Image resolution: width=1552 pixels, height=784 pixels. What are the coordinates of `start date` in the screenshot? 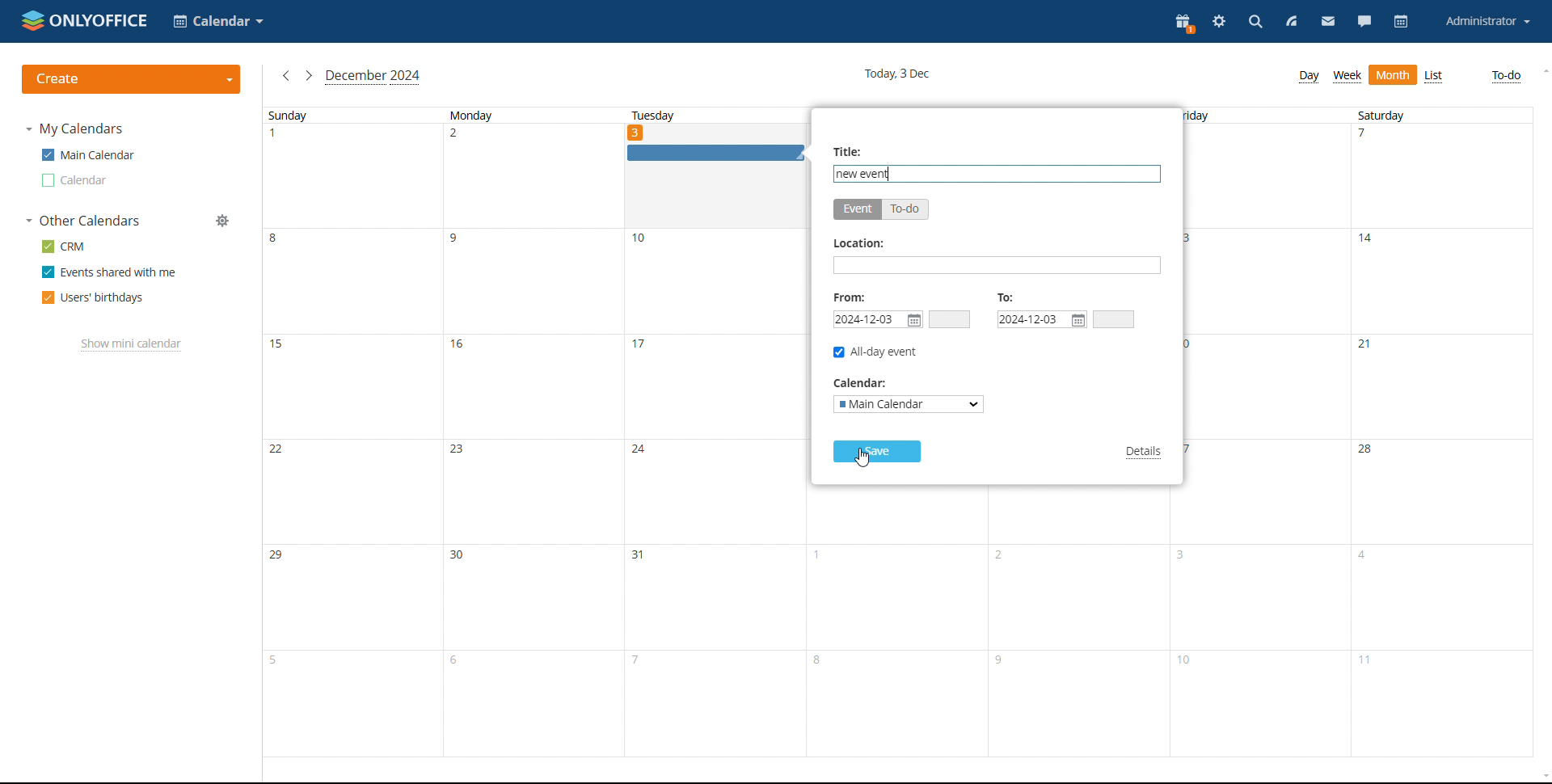 It's located at (878, 319).